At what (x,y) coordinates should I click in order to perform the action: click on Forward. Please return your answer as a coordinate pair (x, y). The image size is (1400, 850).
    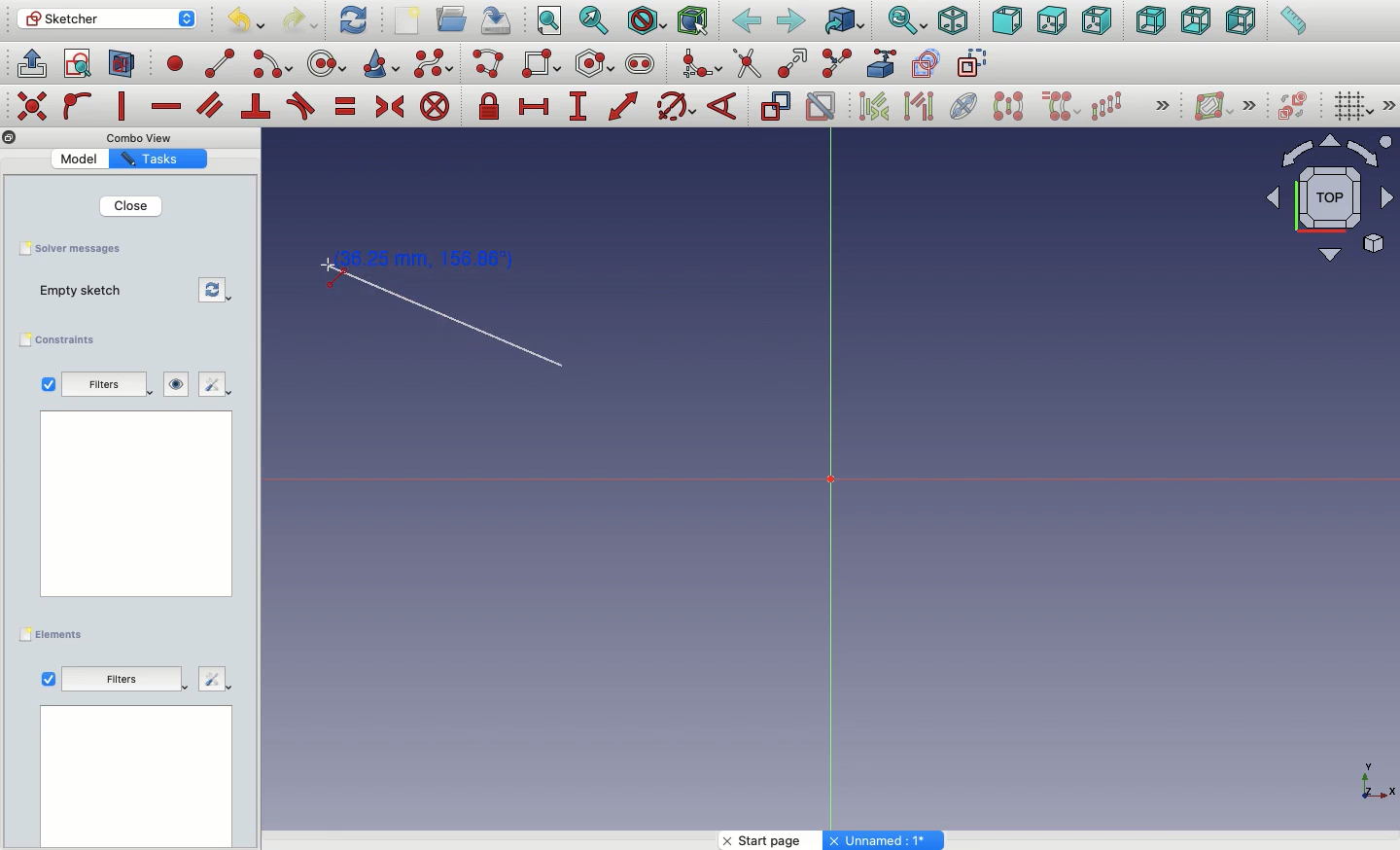
    Looking at the image, I should click on (791, 22).